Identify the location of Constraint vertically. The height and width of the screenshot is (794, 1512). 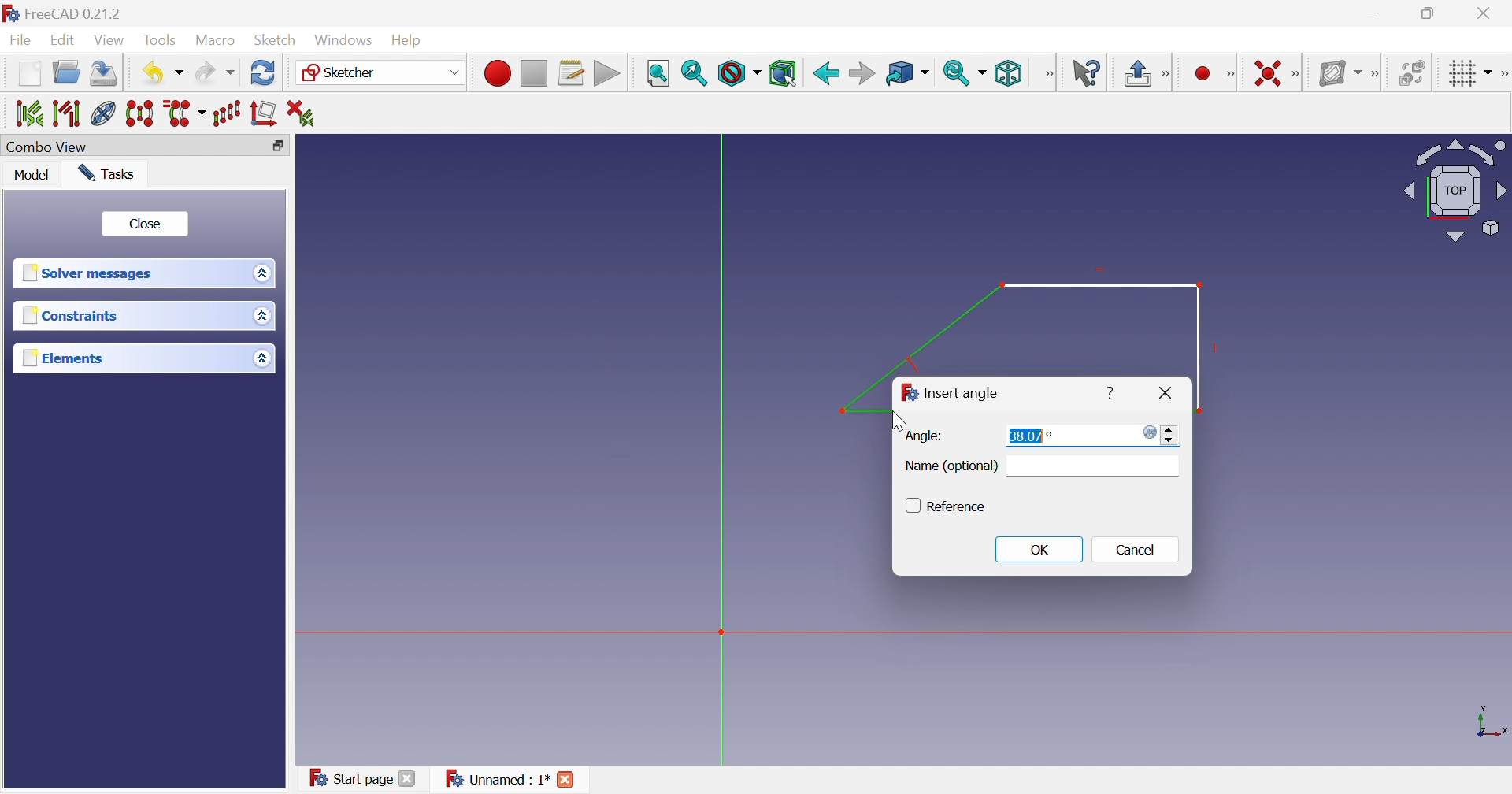
(1207, 72).